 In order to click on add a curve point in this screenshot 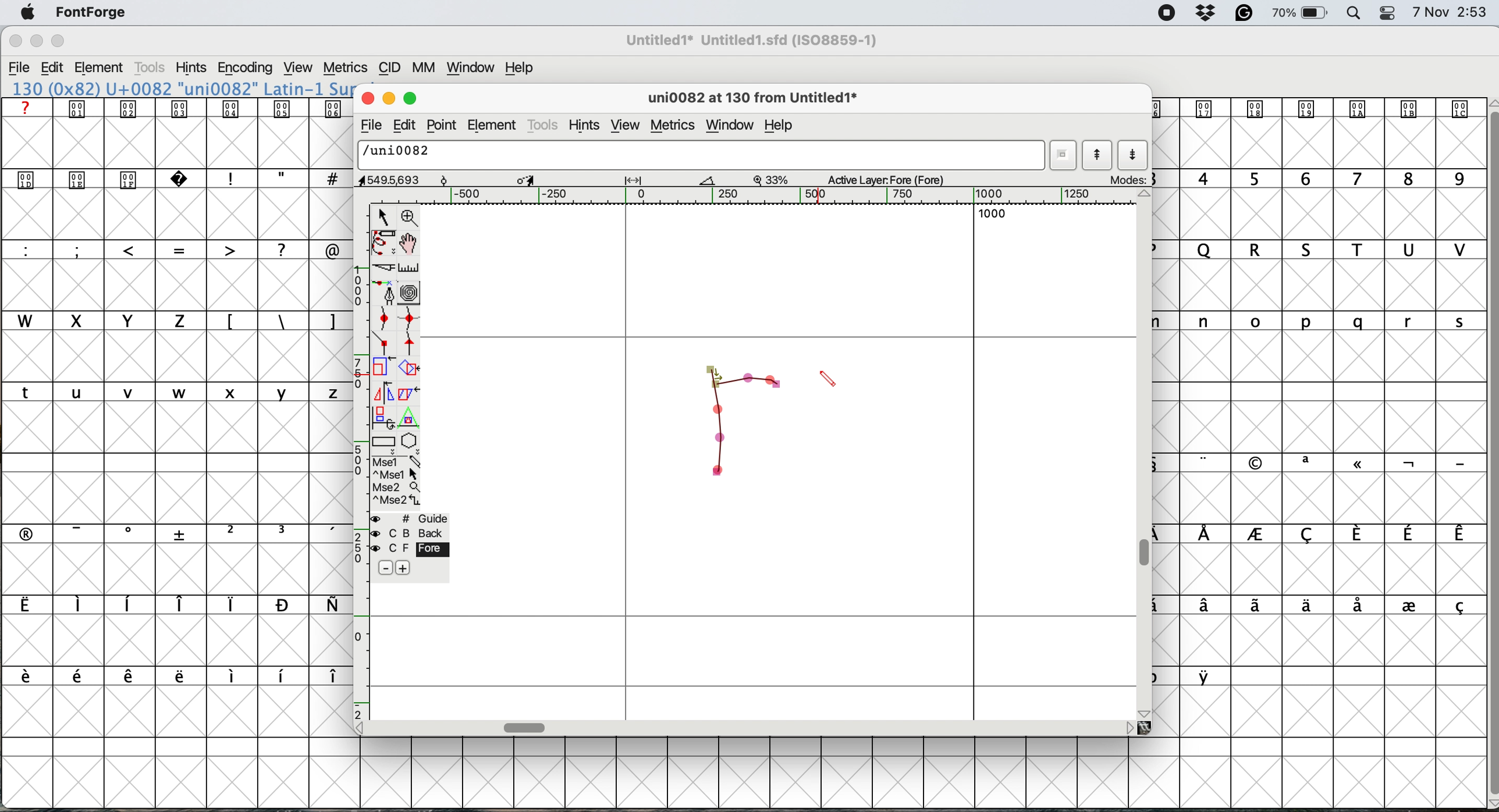, I will do `click(386, 320)`.